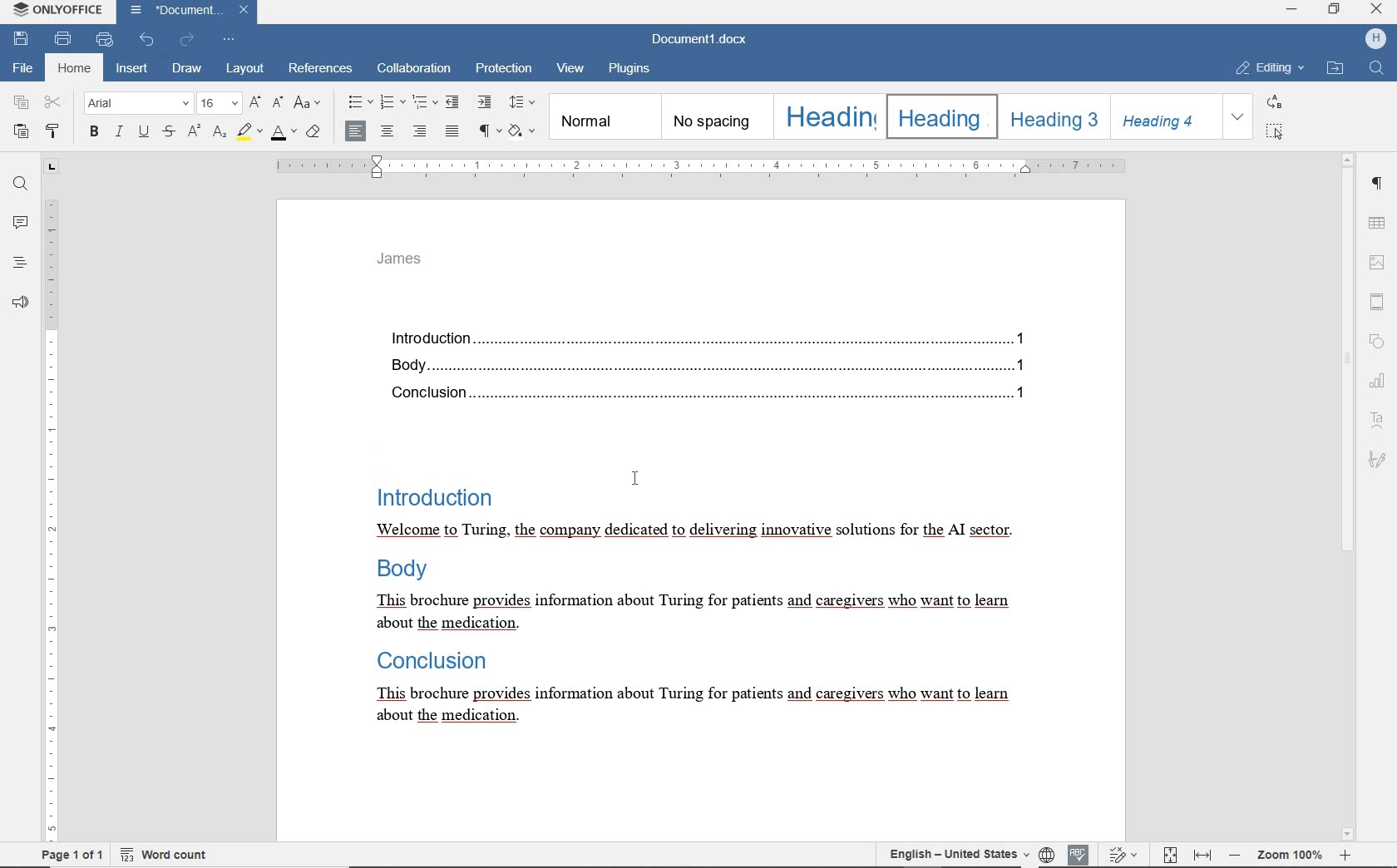 This screenshot has height=868, width=1397. I want to click on page 1 of 1, so click(70, 856).